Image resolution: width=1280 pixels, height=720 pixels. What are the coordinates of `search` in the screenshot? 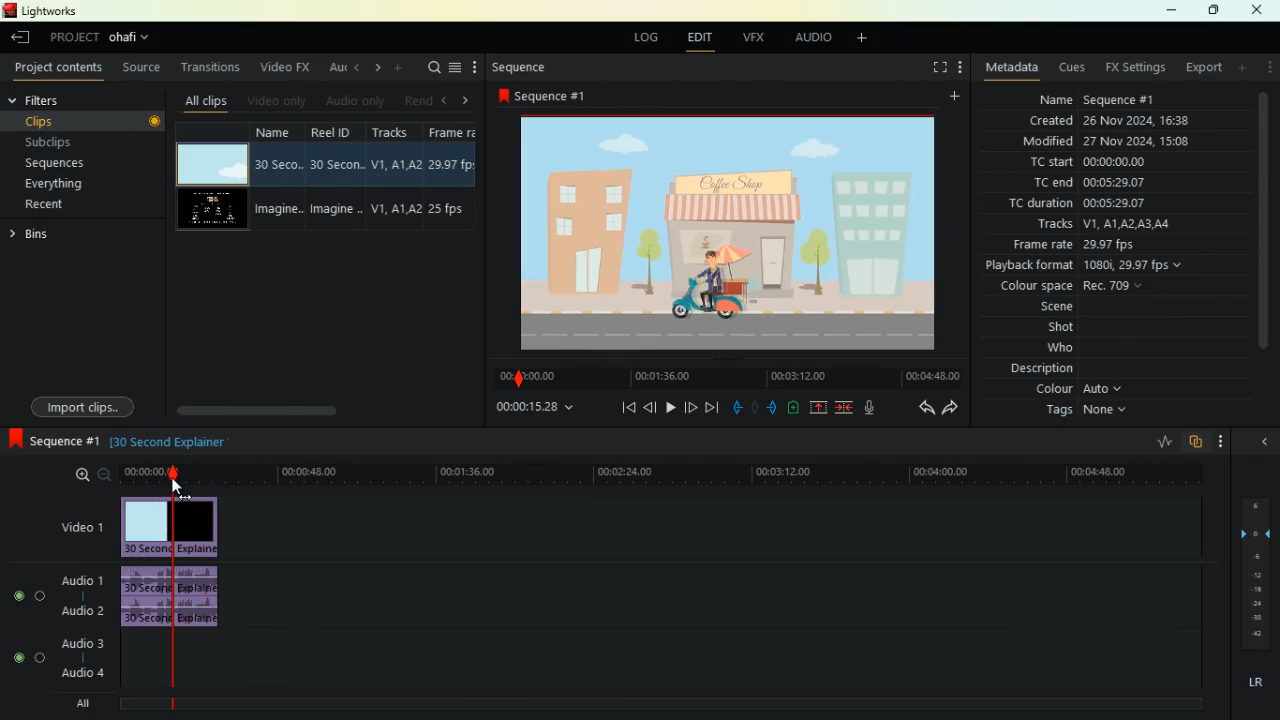 It's located at (433, 69).